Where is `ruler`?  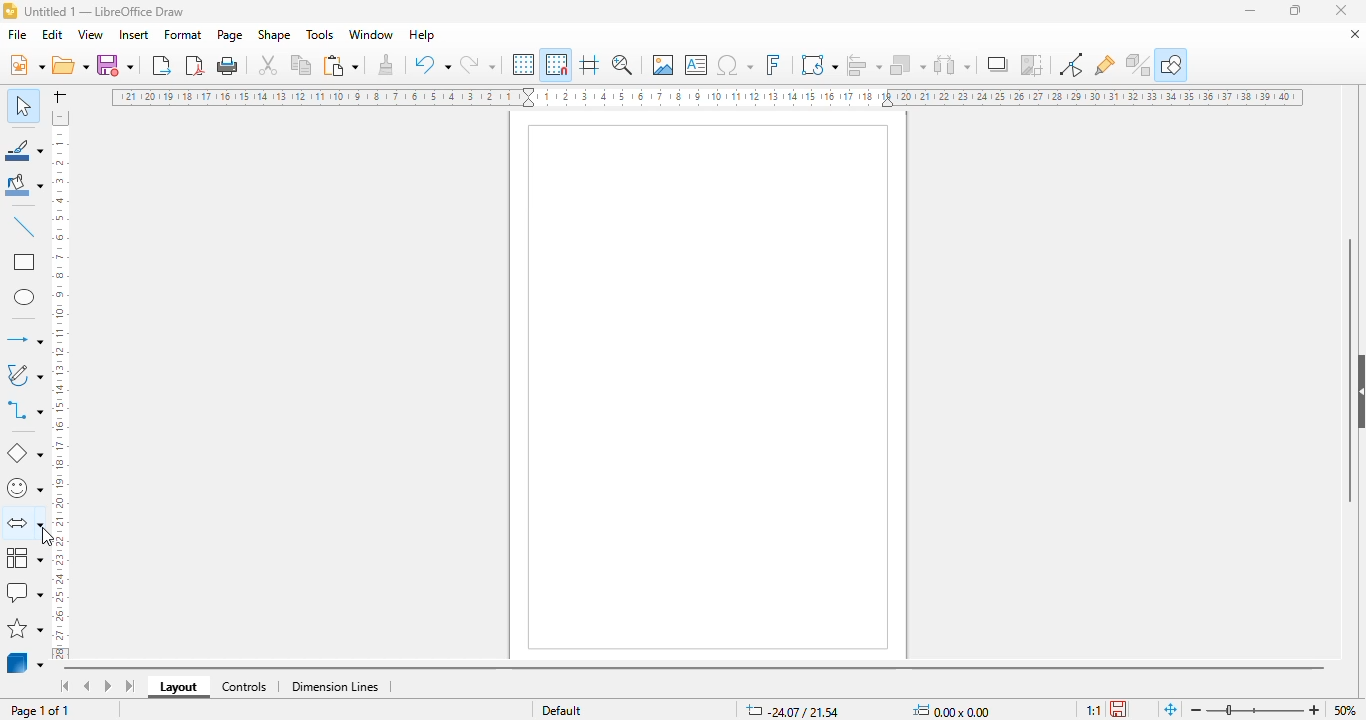
ruler is located at coordinates (707, 97).